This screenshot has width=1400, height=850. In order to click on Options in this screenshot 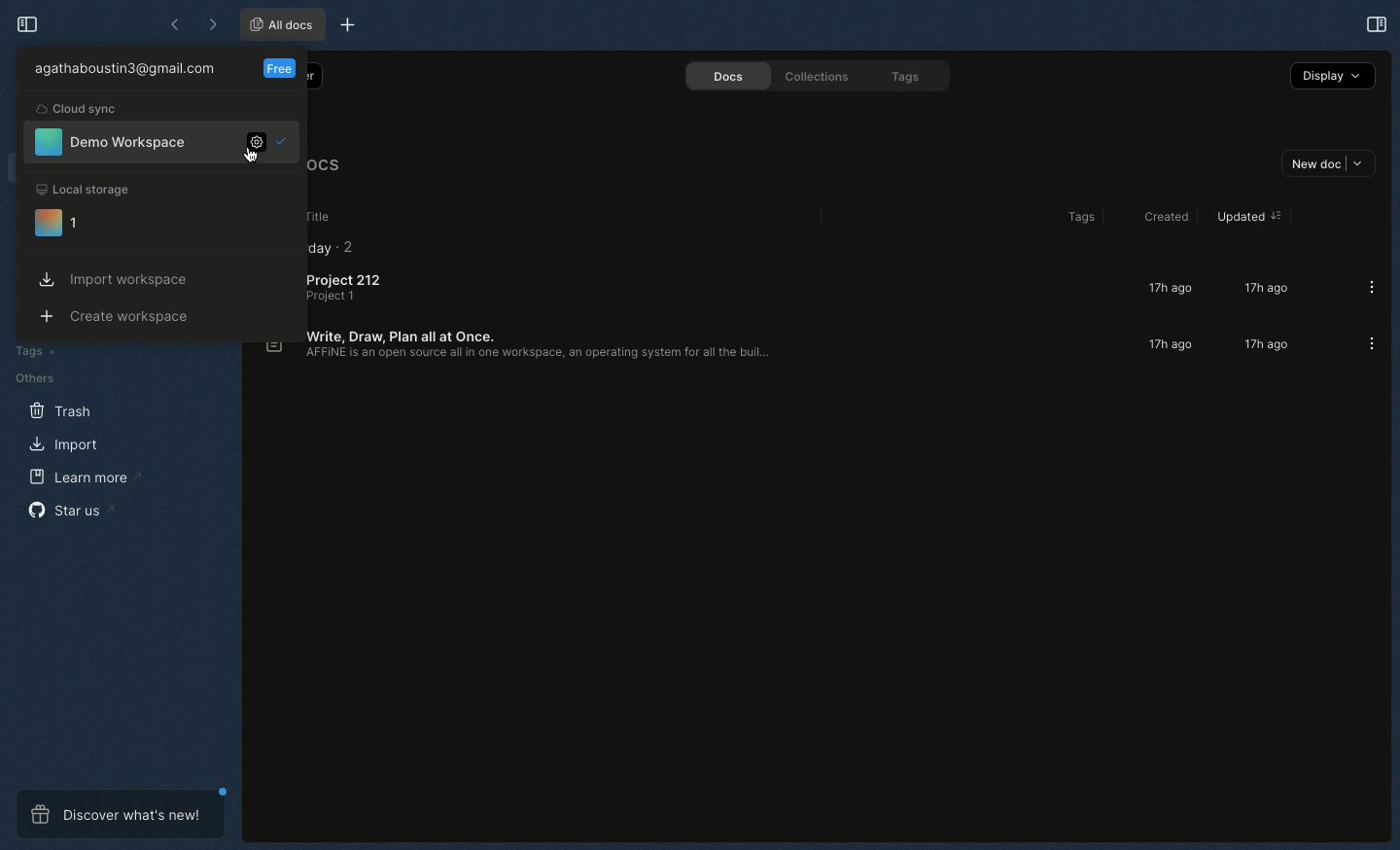, I will do `click(1366, 287)`.